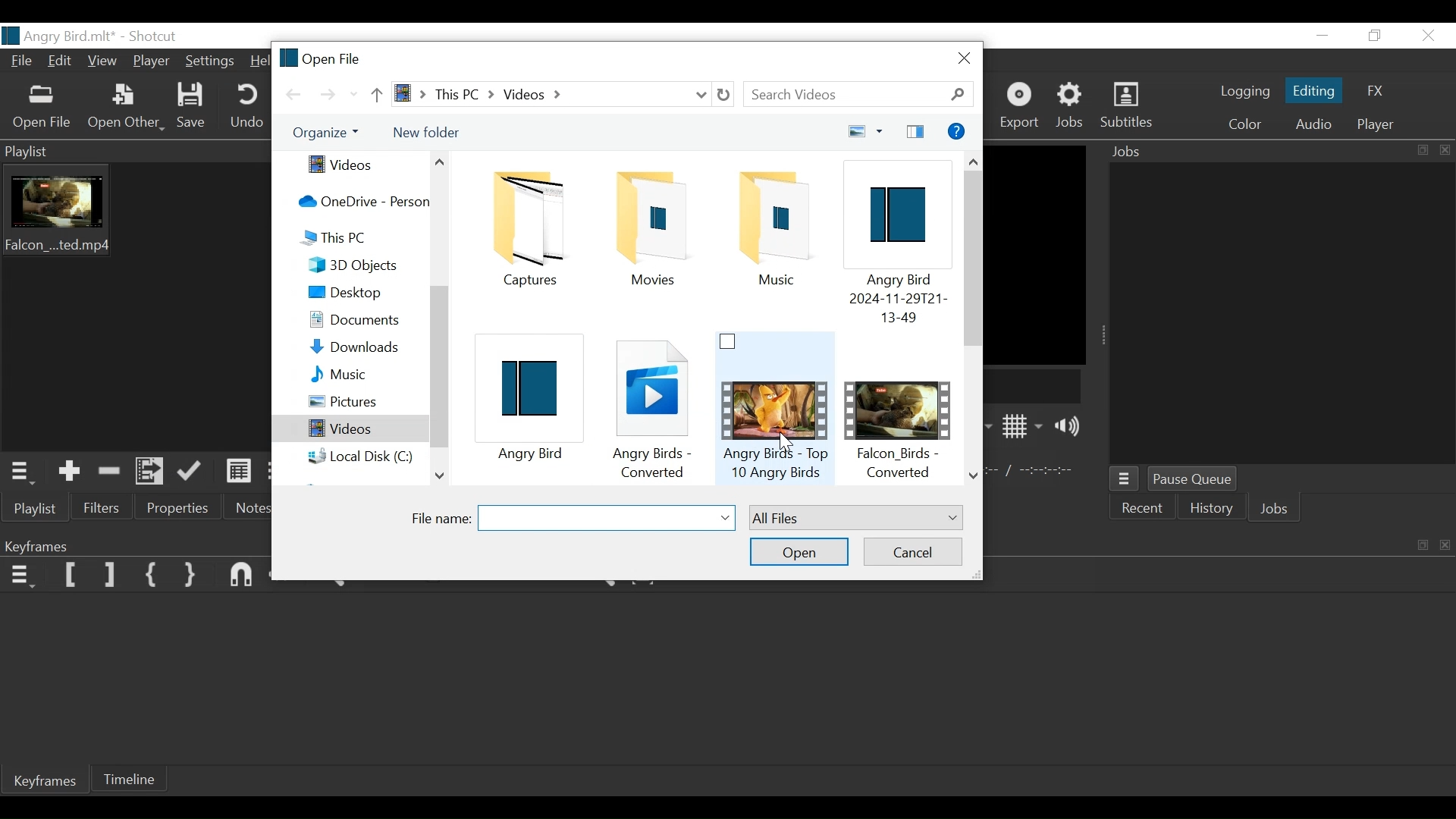  Describe the element at coordinates (110, 471) in the screenshot. I see `Remove cut` at that location.